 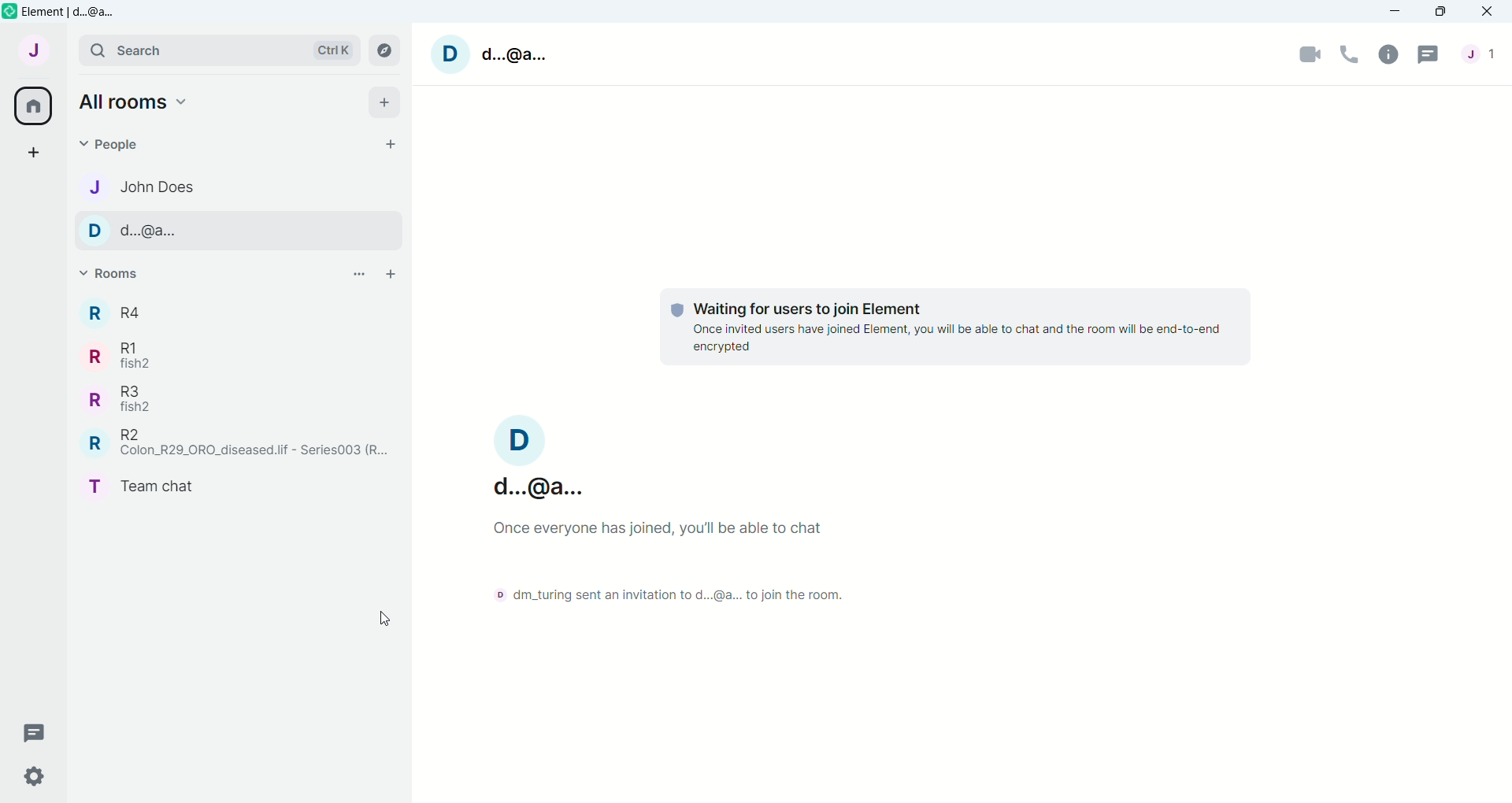 I want to click on Threads, so click(x=1429, y=54).